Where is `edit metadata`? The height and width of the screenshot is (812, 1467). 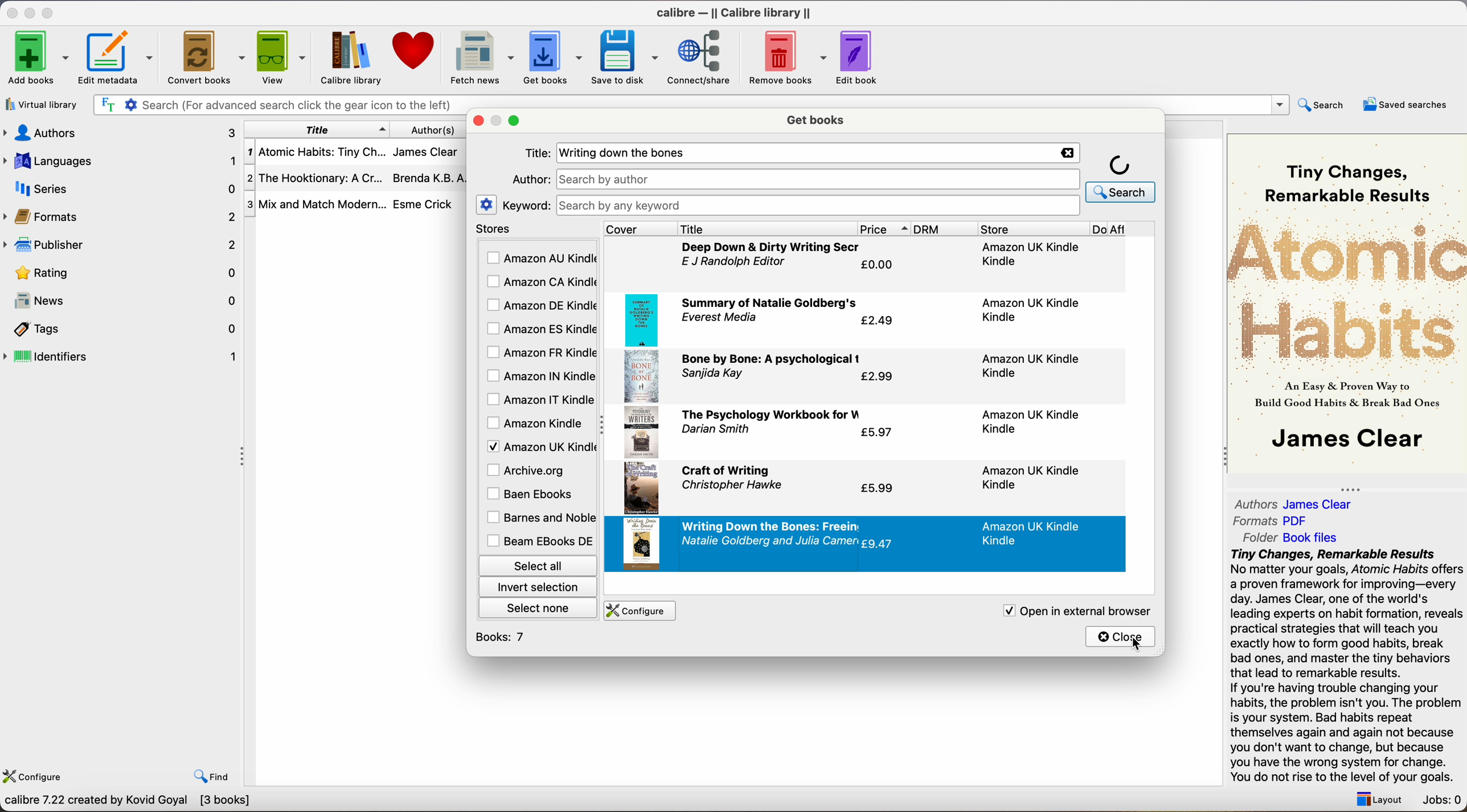
edit metadata is located at coordinates (119, 59).